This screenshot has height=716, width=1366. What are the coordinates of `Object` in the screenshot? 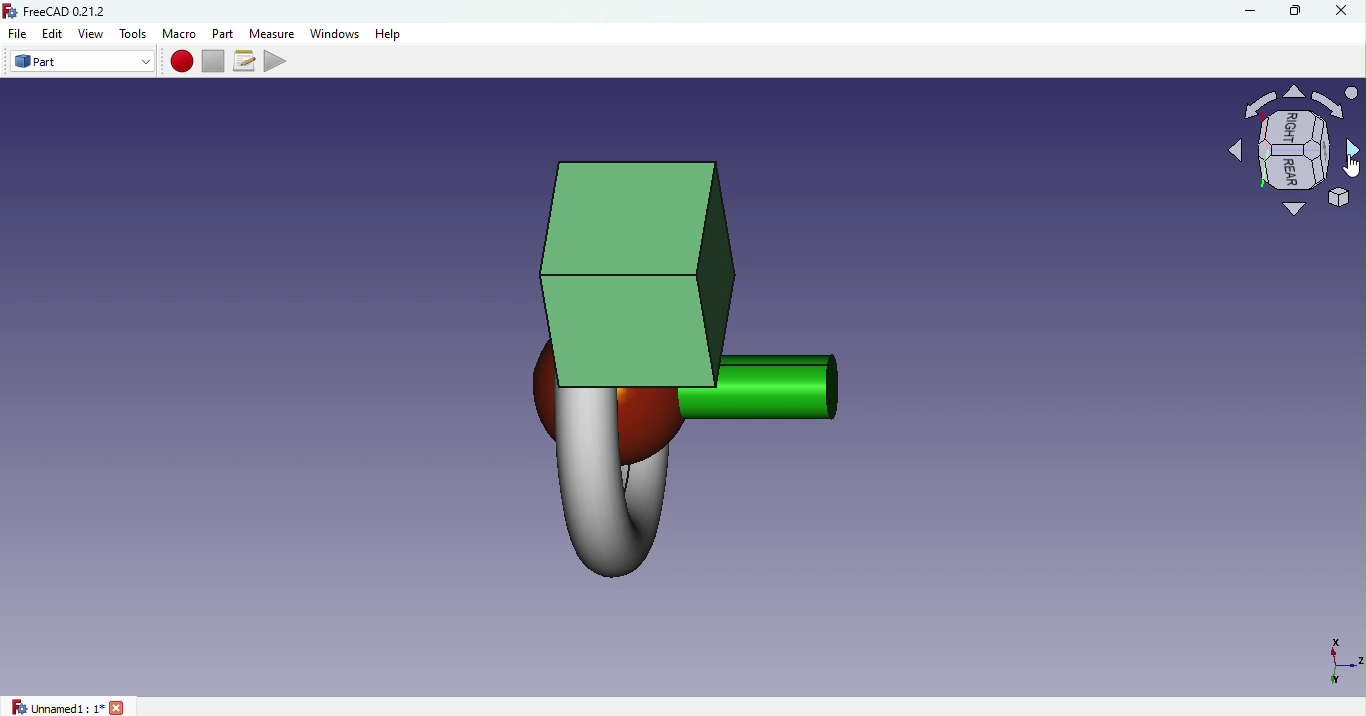 It's located at (699, 360).